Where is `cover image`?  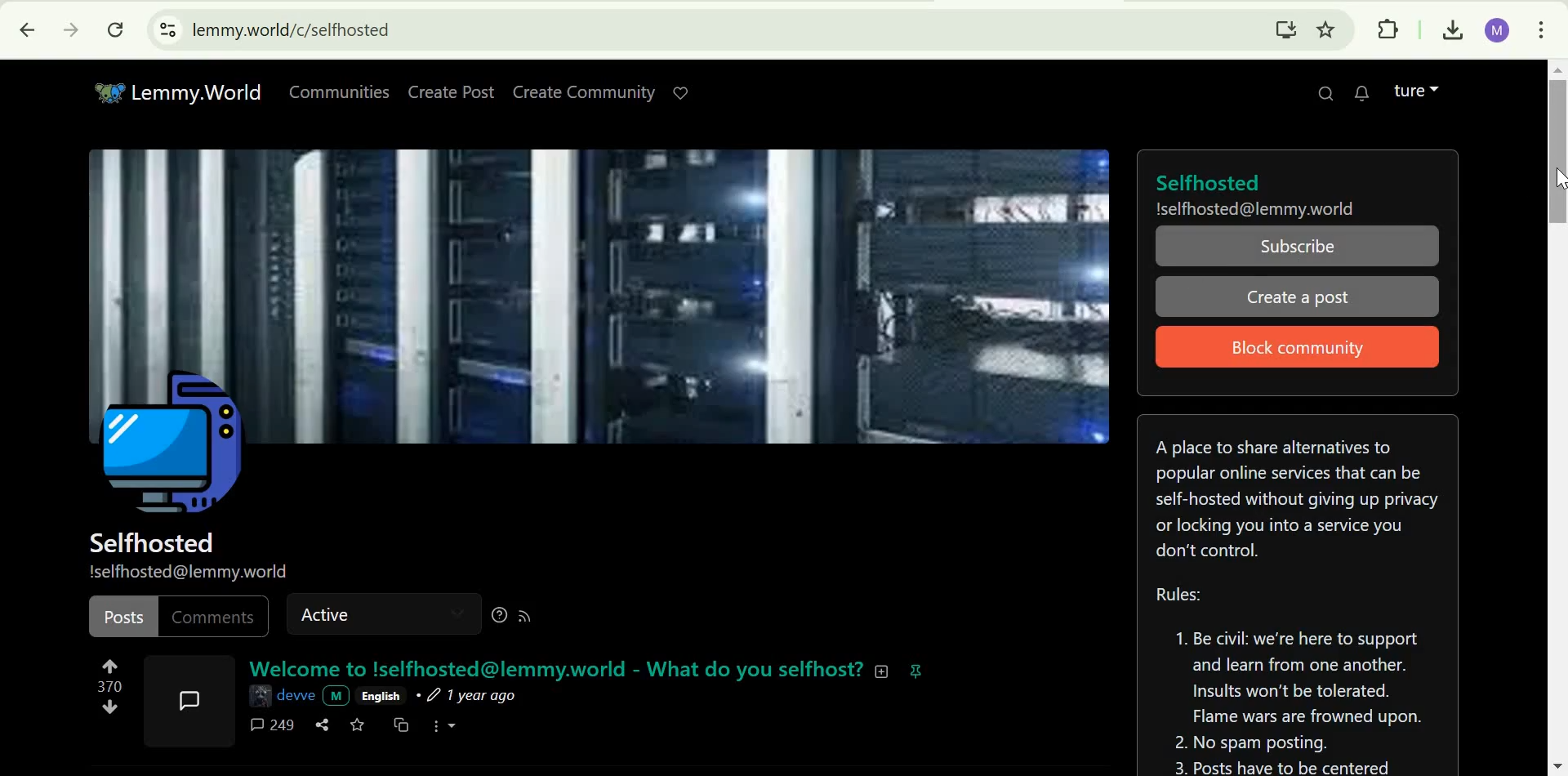 cover image is located at coordinates (602, 261).